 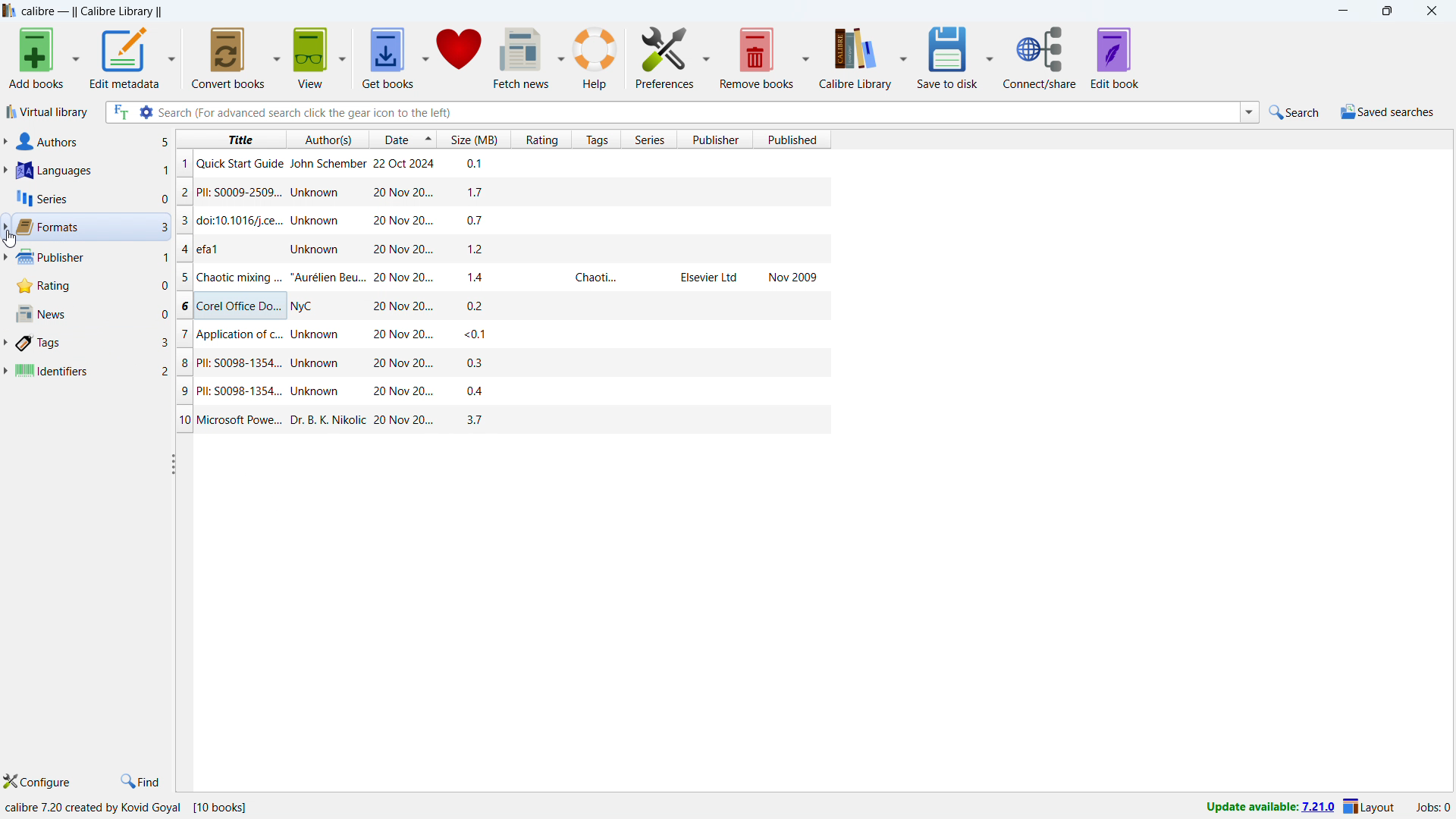 I want to click on sort by rating, so click(x=541, y=139).